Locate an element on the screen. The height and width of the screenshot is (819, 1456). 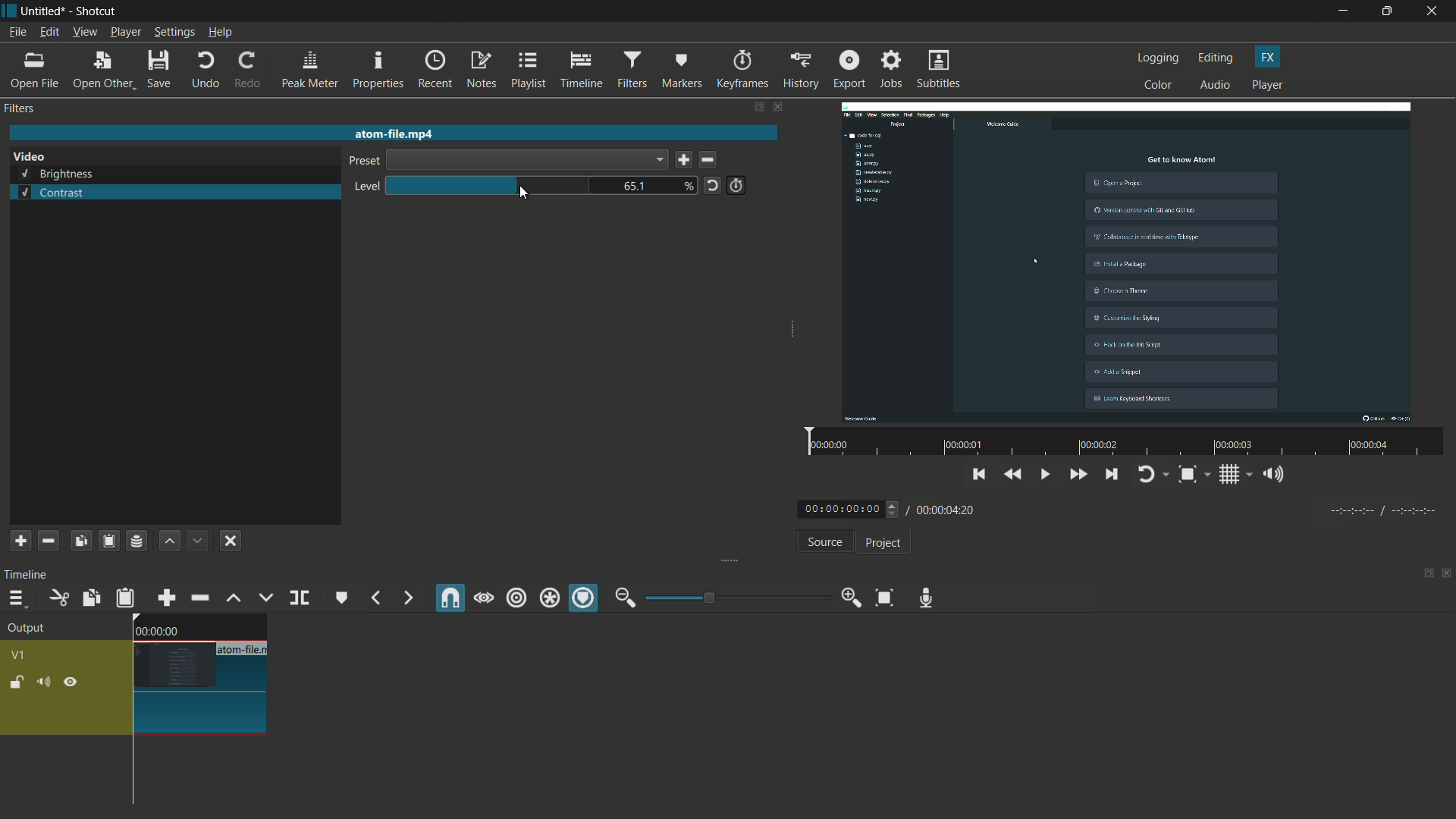
playlist is located at coordinates (529, 70).